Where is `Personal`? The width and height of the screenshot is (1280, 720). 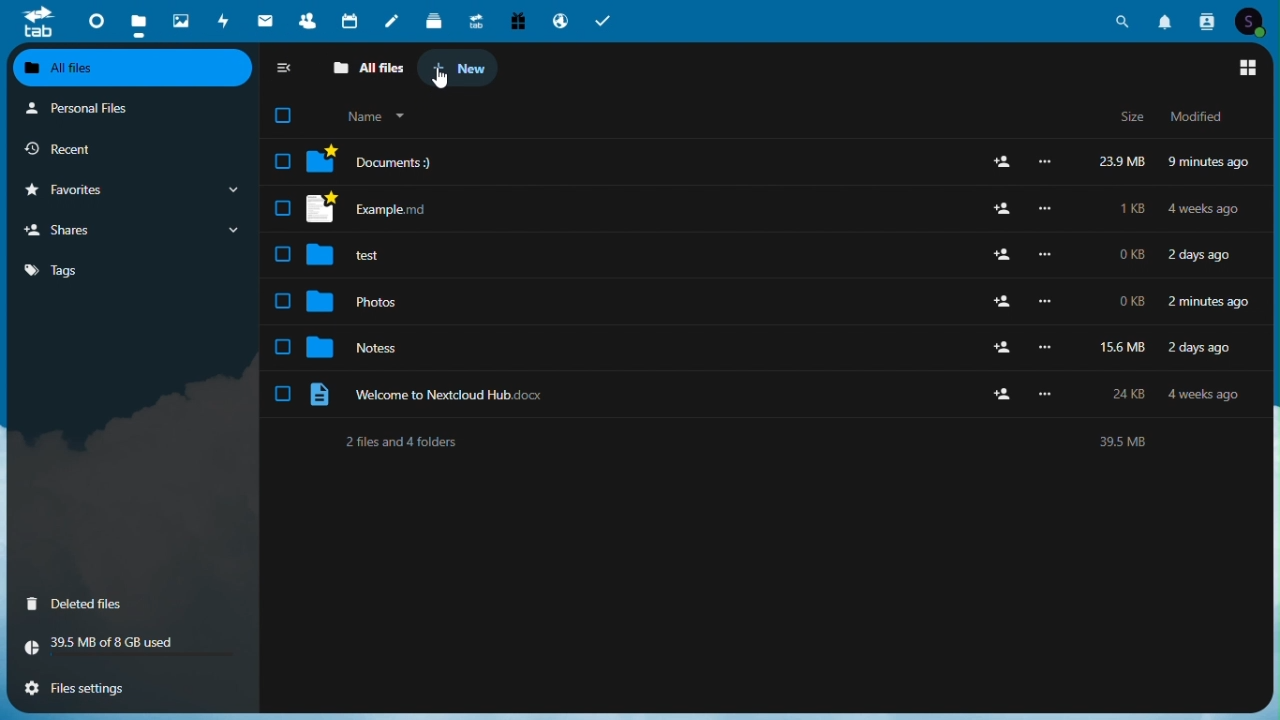 Personal is located at coordinates (127, 108).